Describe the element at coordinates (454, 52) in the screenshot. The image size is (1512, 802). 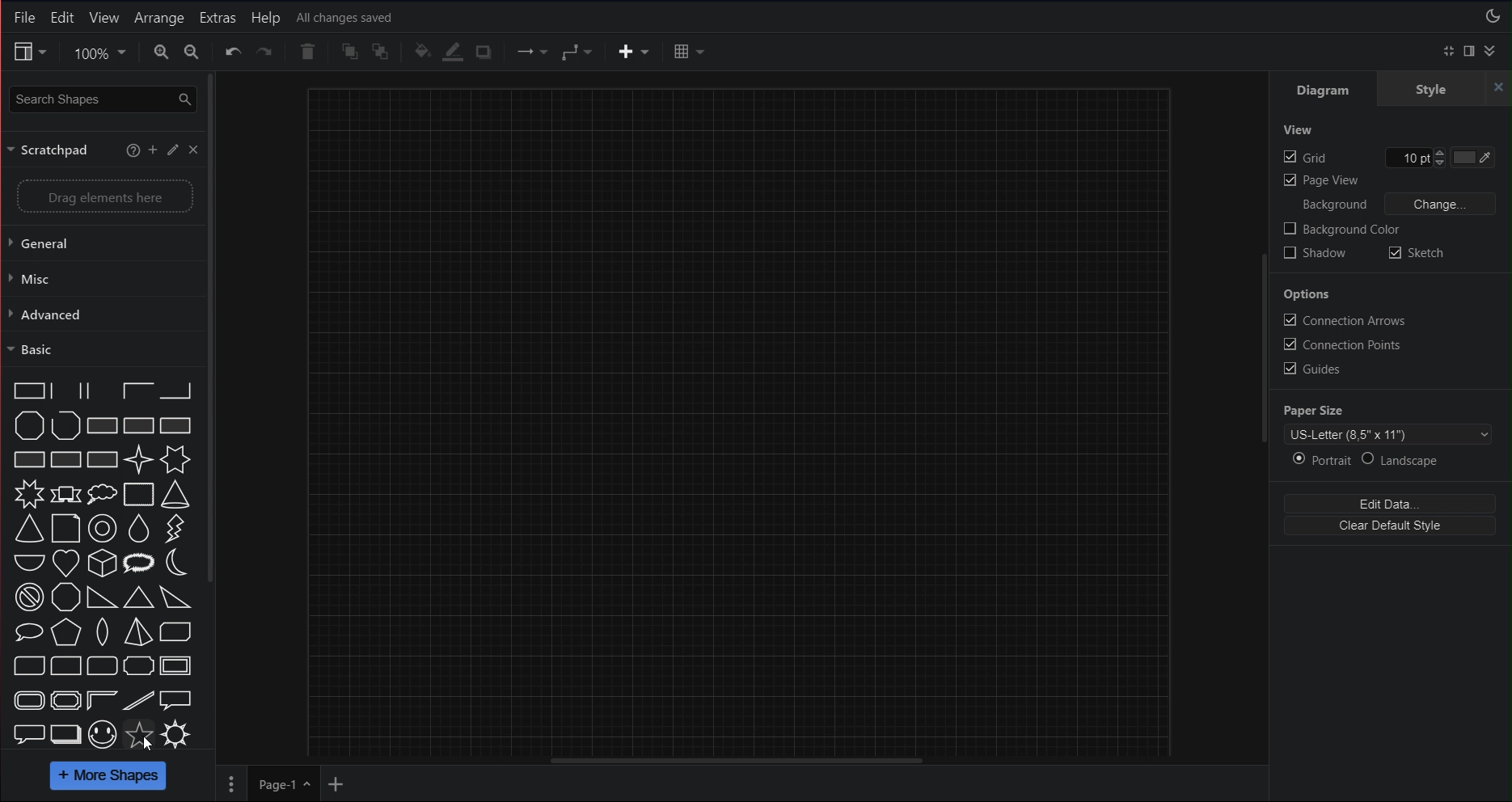
I see `Line color` at that location.